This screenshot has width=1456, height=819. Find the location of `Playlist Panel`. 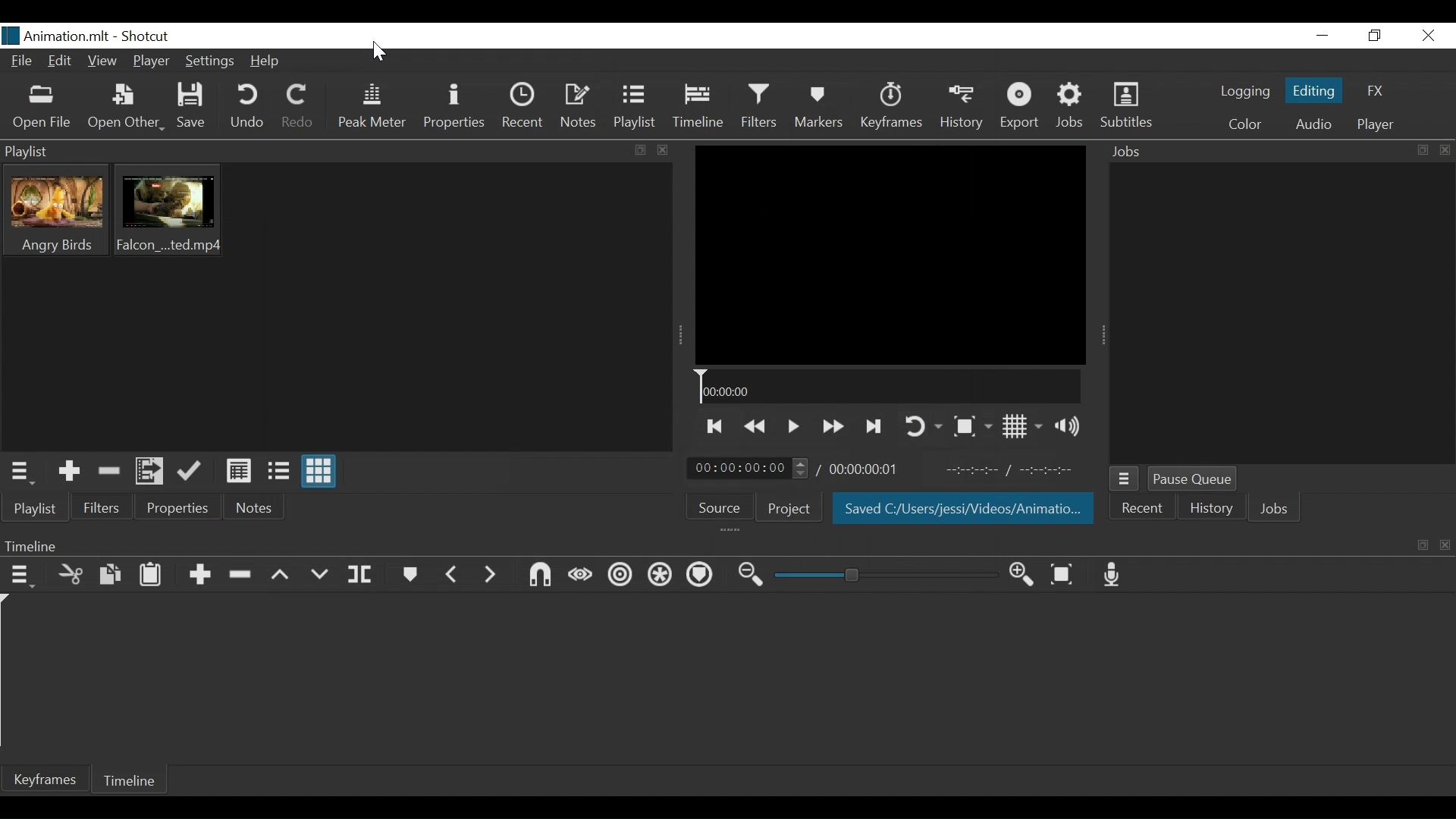

Playlist Panel is located at coordinates (335, 149).